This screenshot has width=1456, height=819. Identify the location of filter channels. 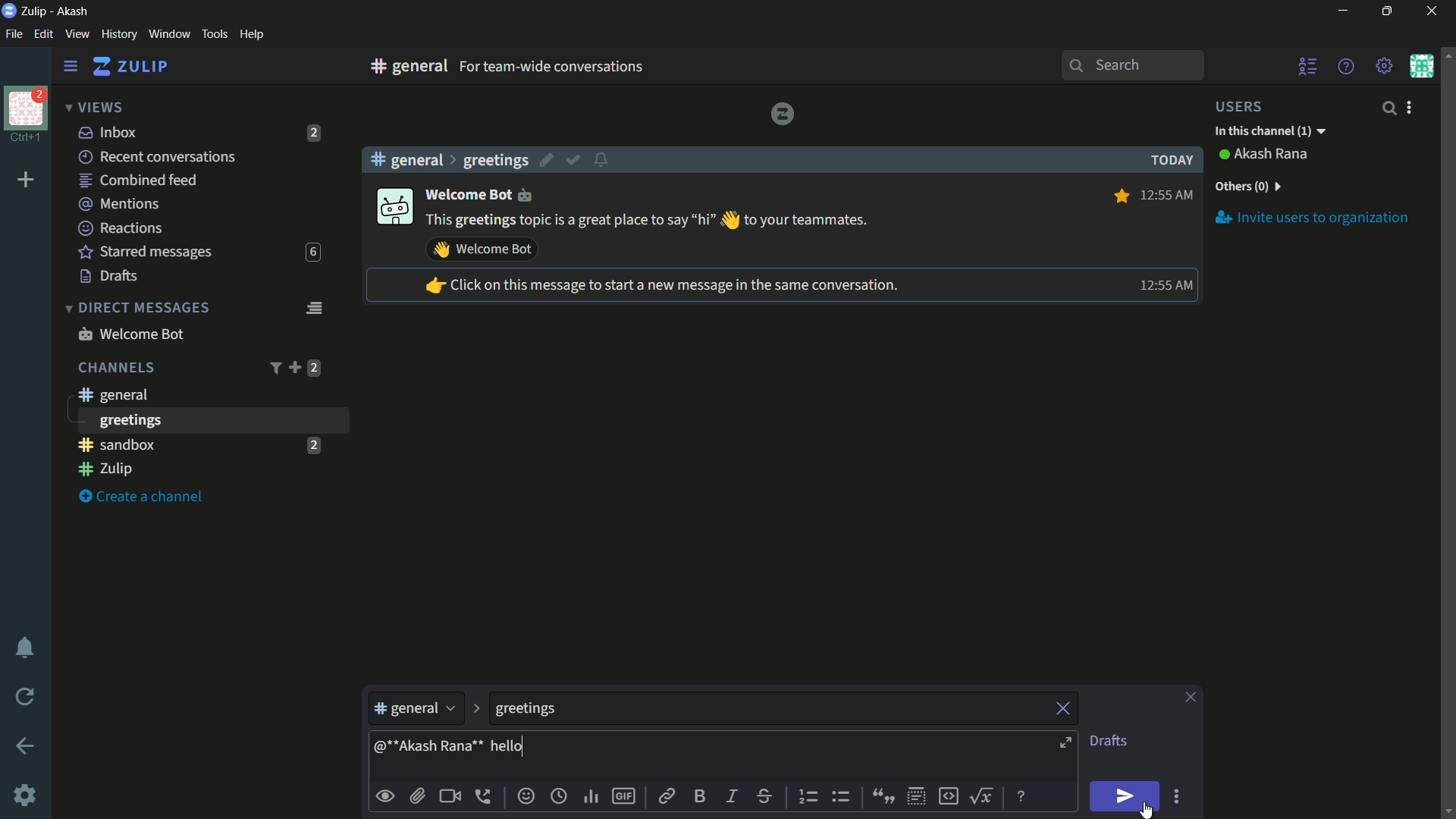
(274, 368).